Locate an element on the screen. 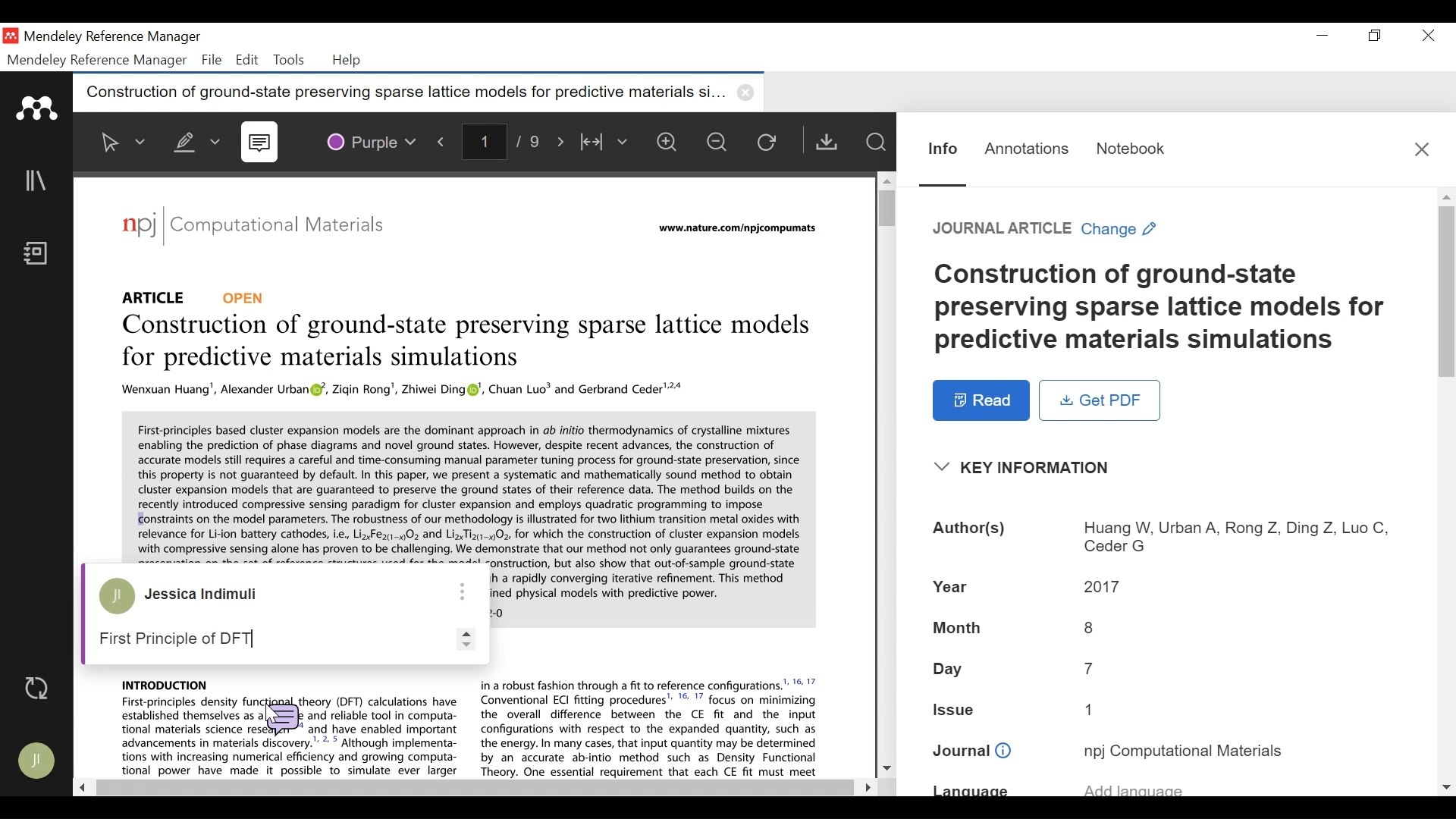 This screenshot has width=1456, height=819. Zoom in is located at coordinates (670, 143).